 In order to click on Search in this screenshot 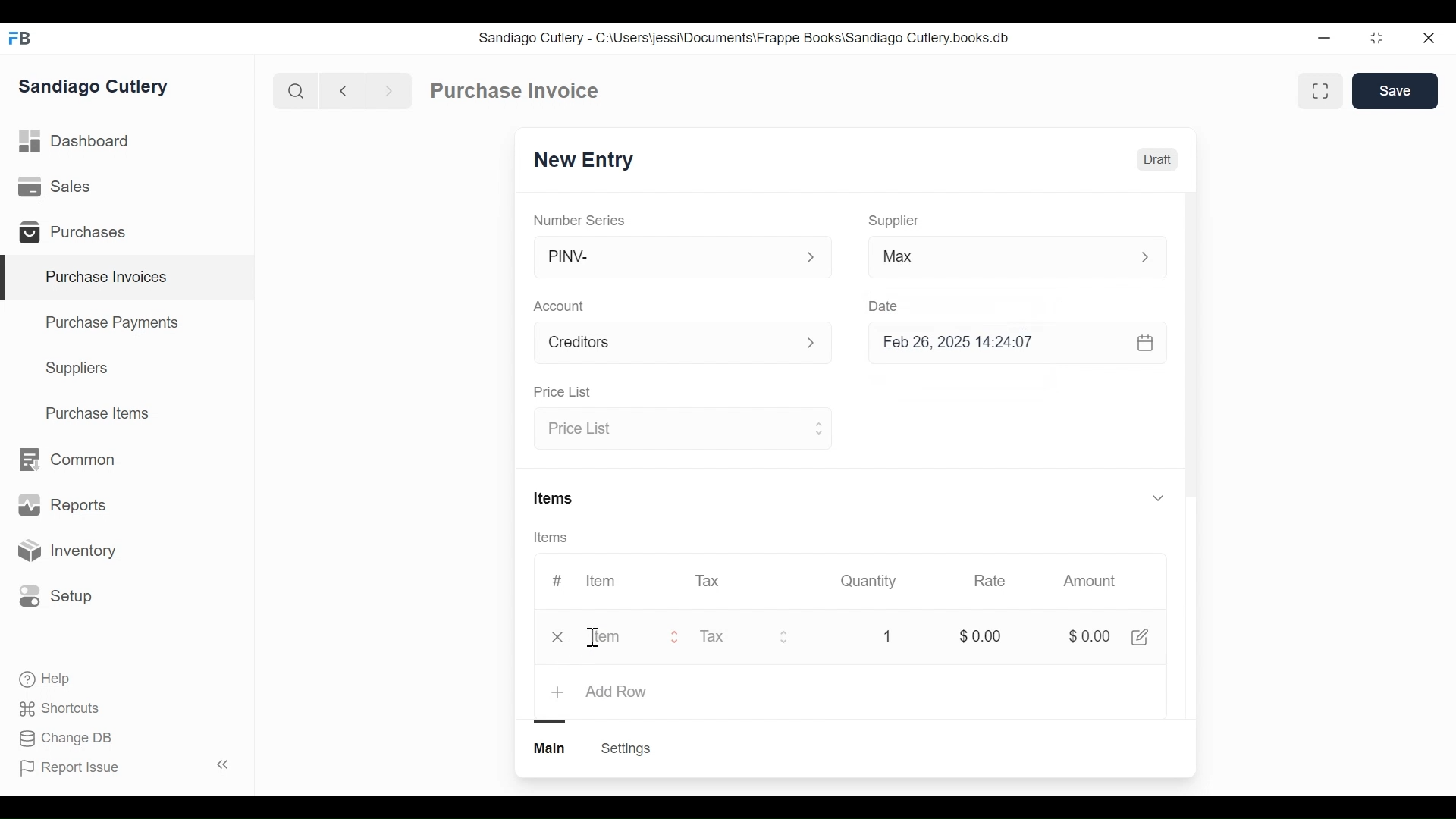, I will do `click(296, 90)`.